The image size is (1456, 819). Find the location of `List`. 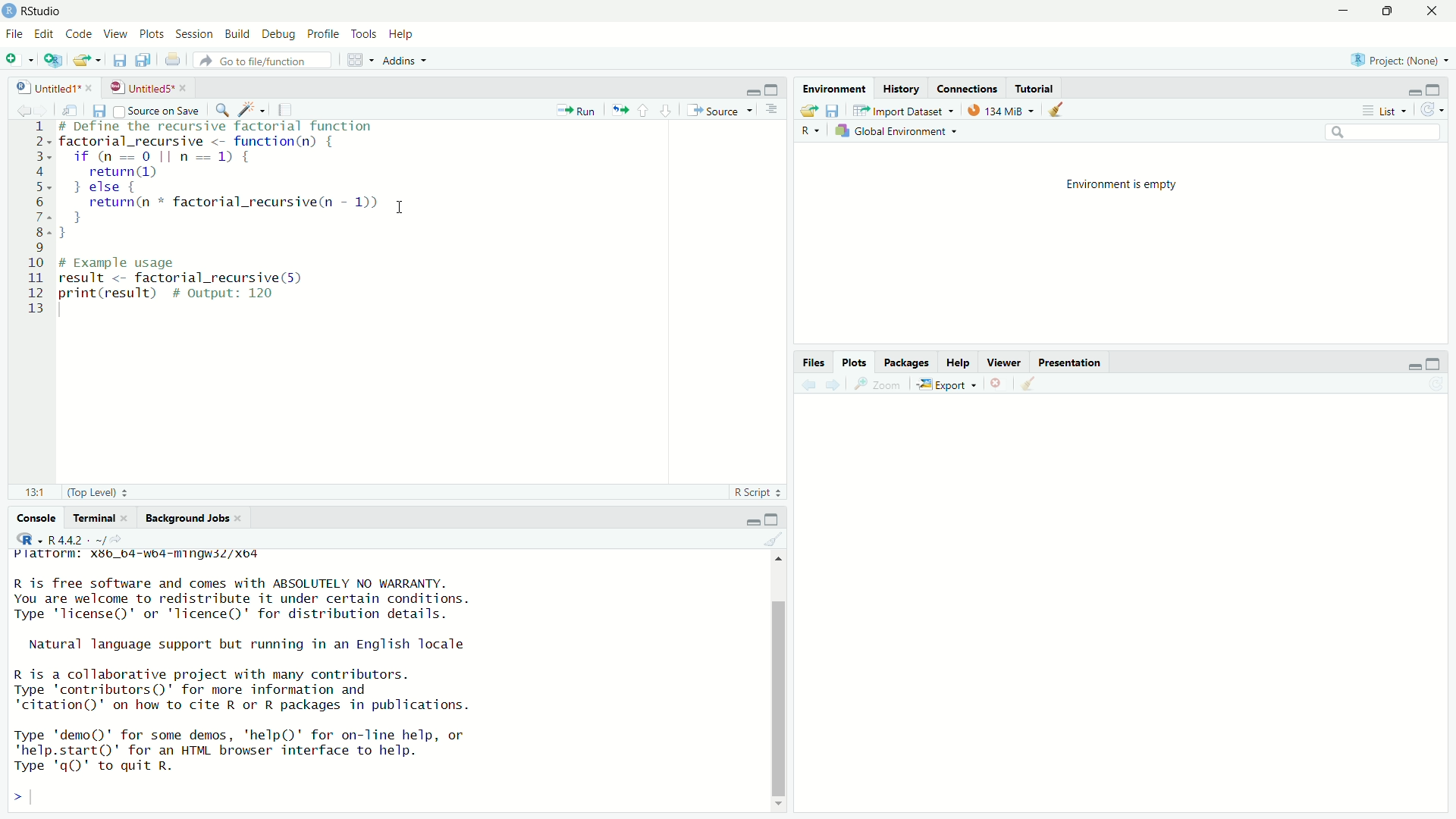

List is located at coordinates (1383, 110).